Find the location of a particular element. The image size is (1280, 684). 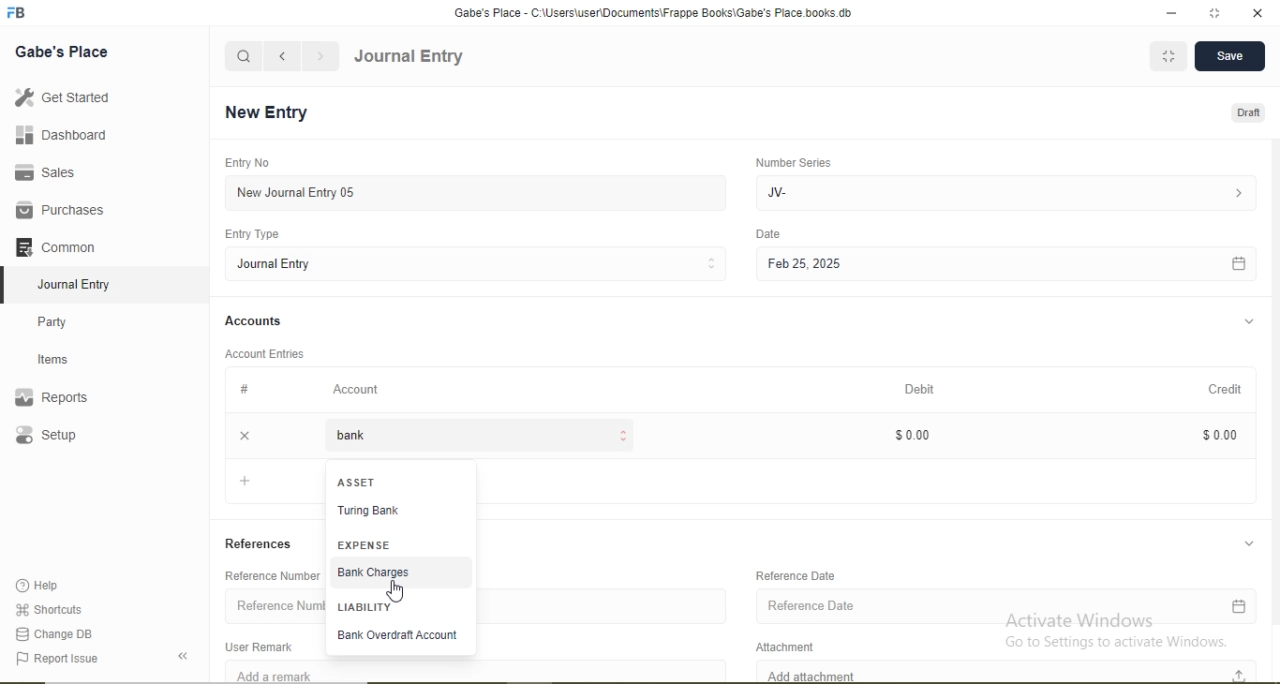

Reference Date is located at coordinates (999, 605).